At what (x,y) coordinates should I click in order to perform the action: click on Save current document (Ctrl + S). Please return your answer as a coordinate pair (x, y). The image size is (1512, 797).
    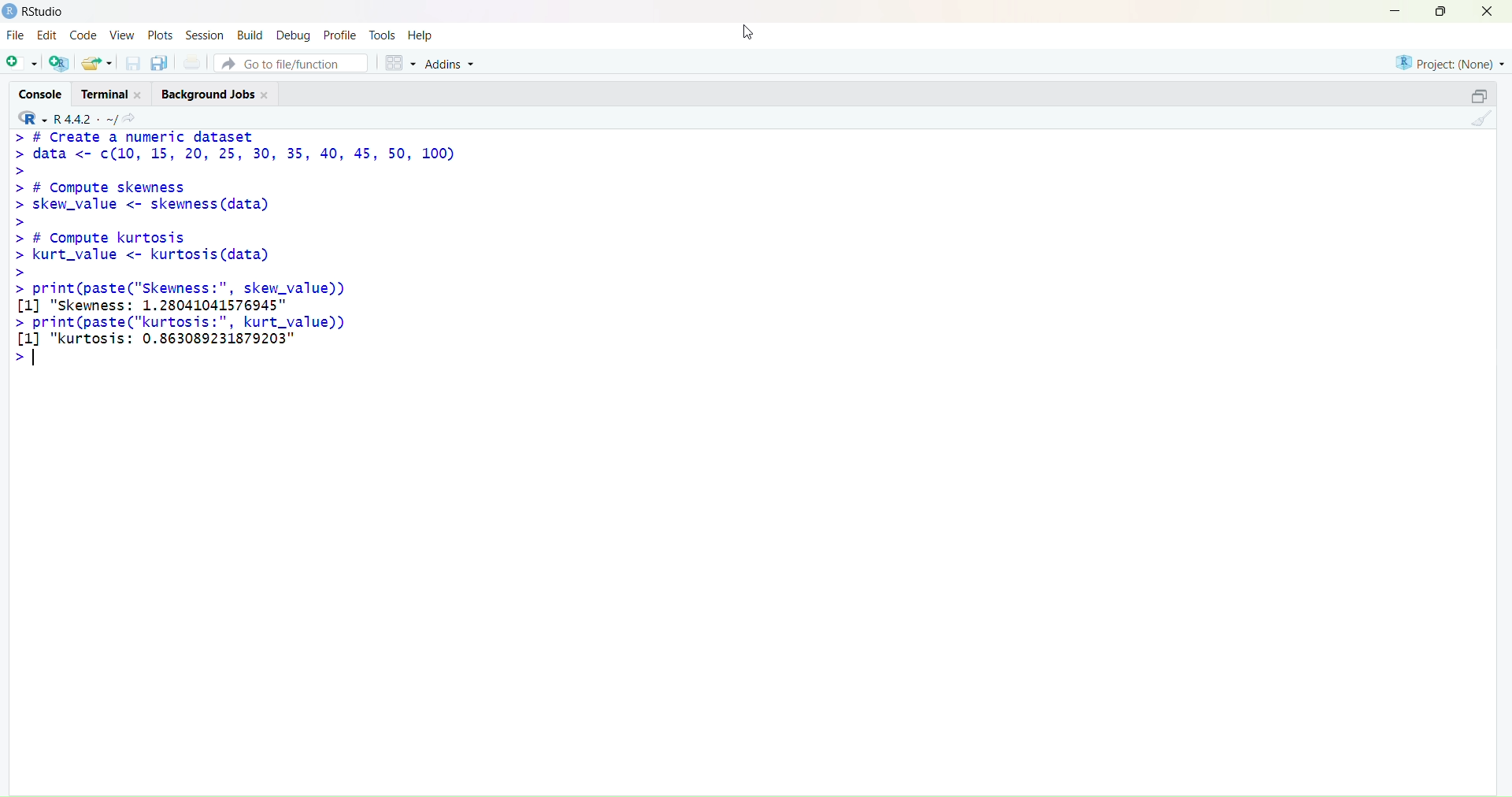
    Looking at the image, I should click on (132, 65).